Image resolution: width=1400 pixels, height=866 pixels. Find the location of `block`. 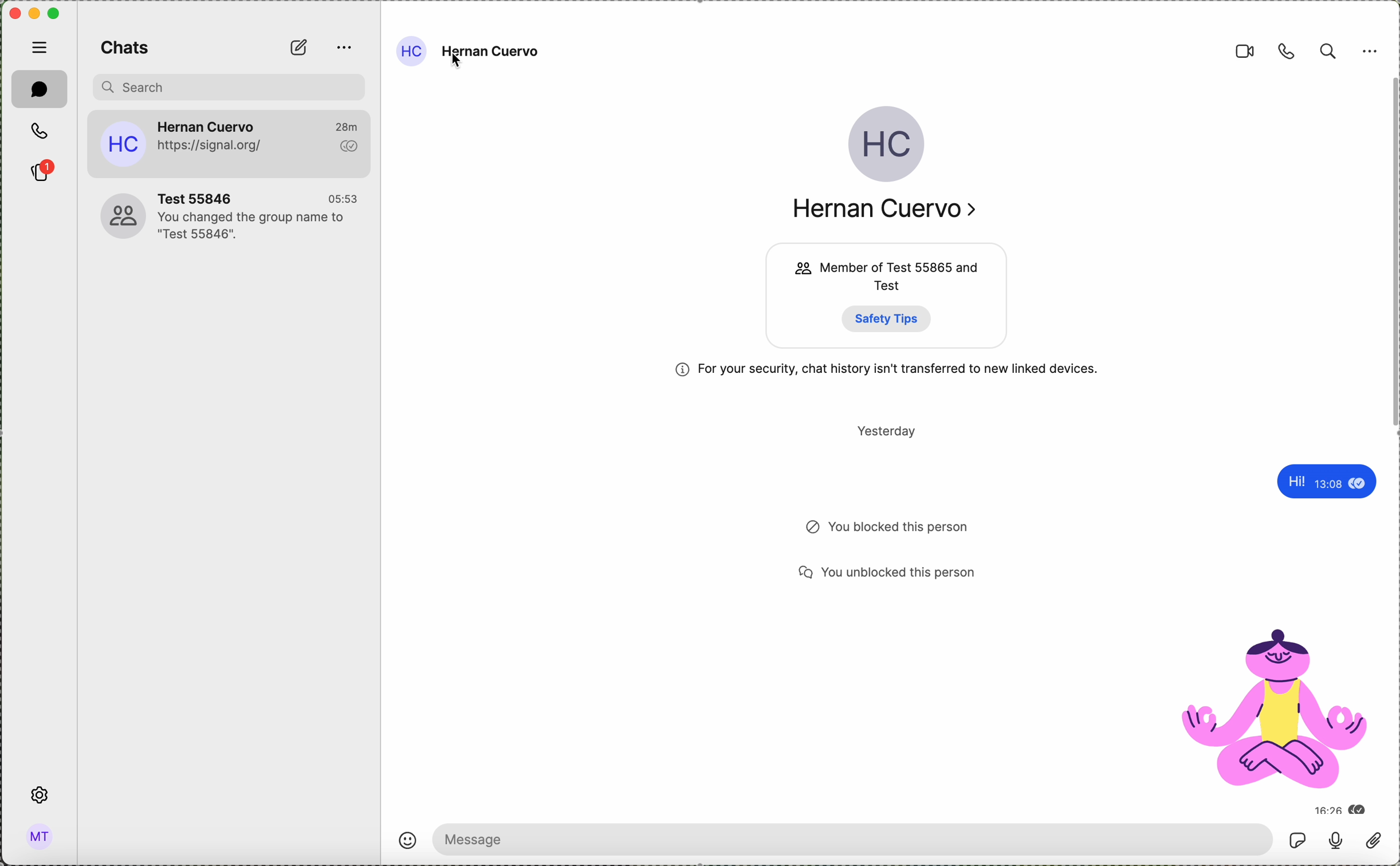

block is located at coordinates (805, 527).